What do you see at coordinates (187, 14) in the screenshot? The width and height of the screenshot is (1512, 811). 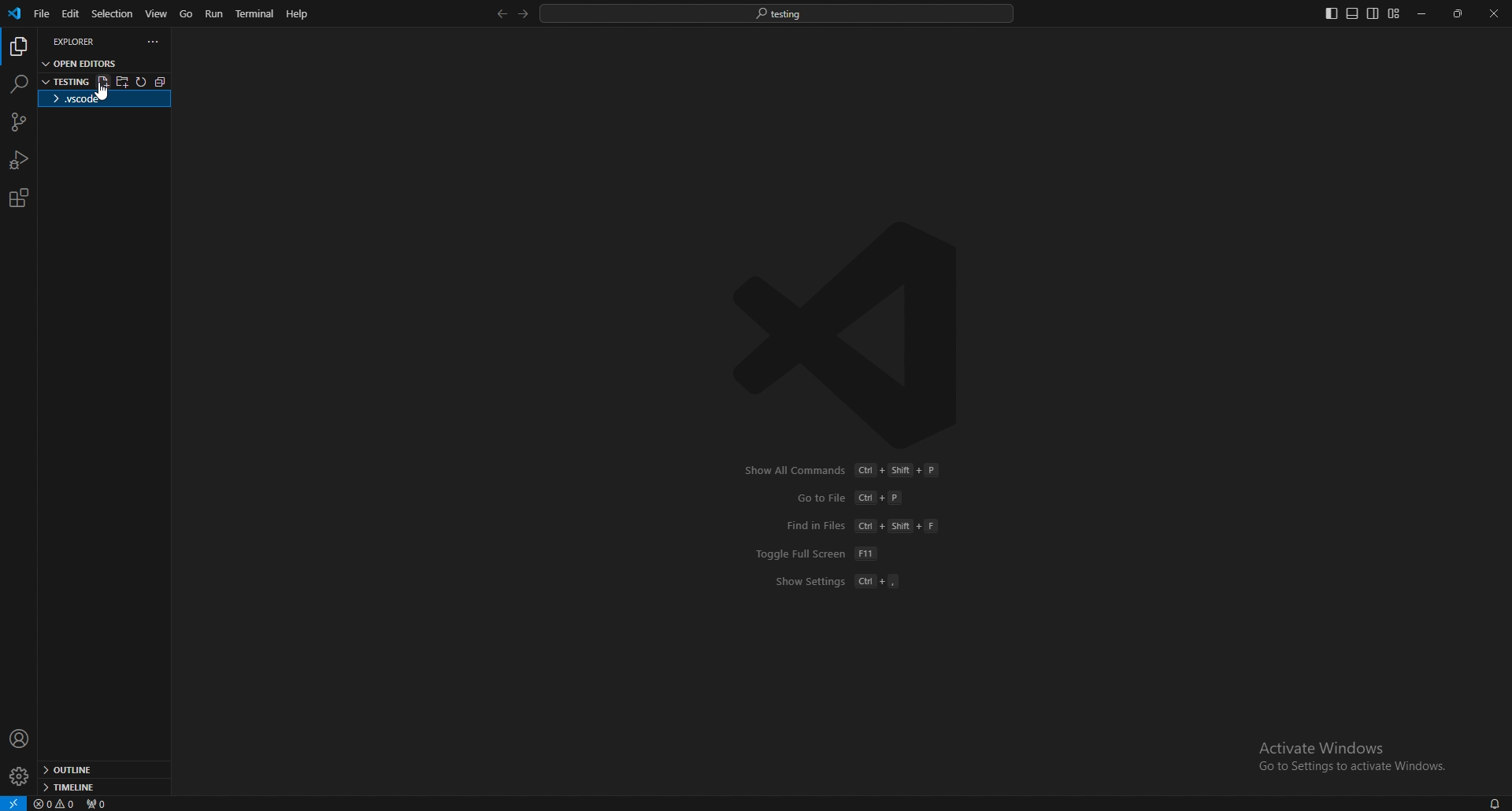 I see `go` at bounding box center [187, 14].